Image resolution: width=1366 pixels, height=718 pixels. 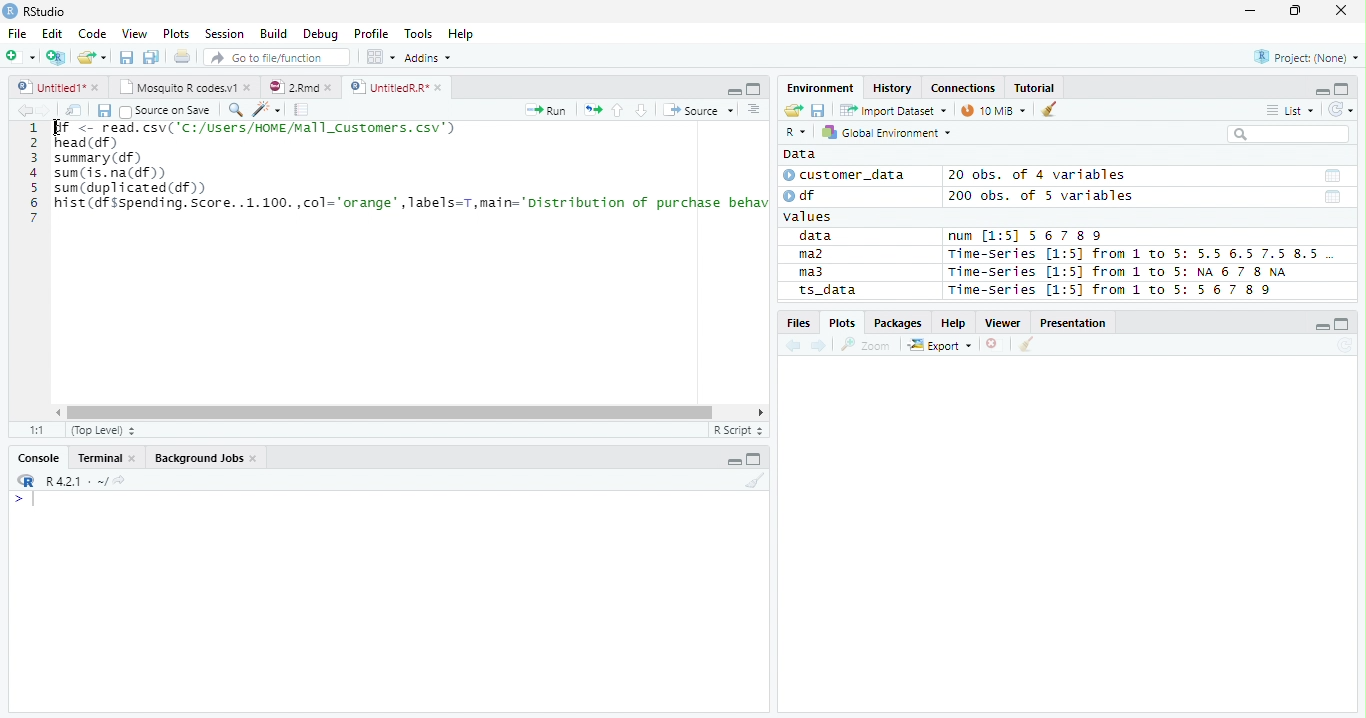 I want to click on Close, so click(x=1340, y=11).